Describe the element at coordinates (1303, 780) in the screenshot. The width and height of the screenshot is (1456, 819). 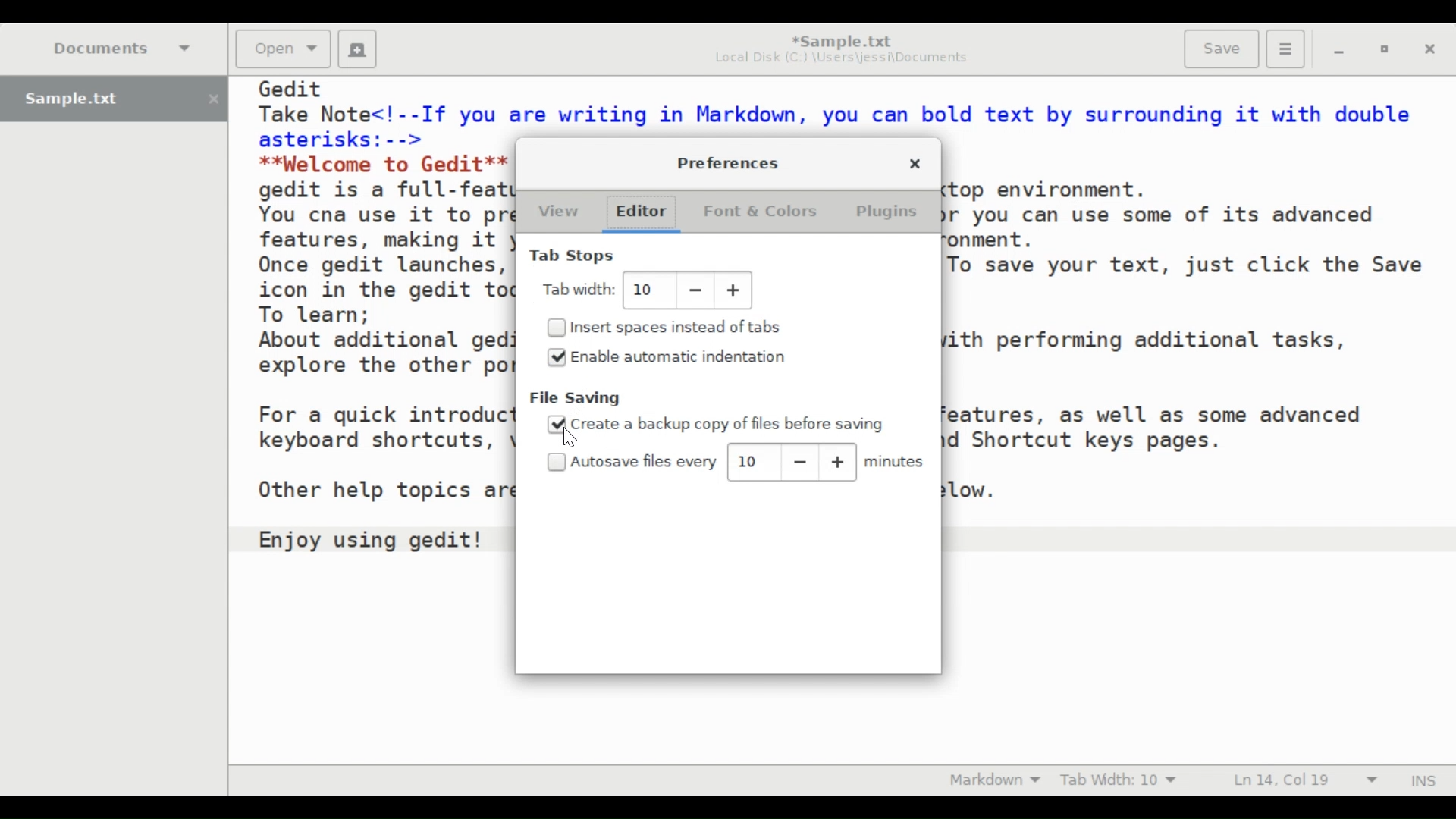
I see `Ln 14, Col 19` at that location.